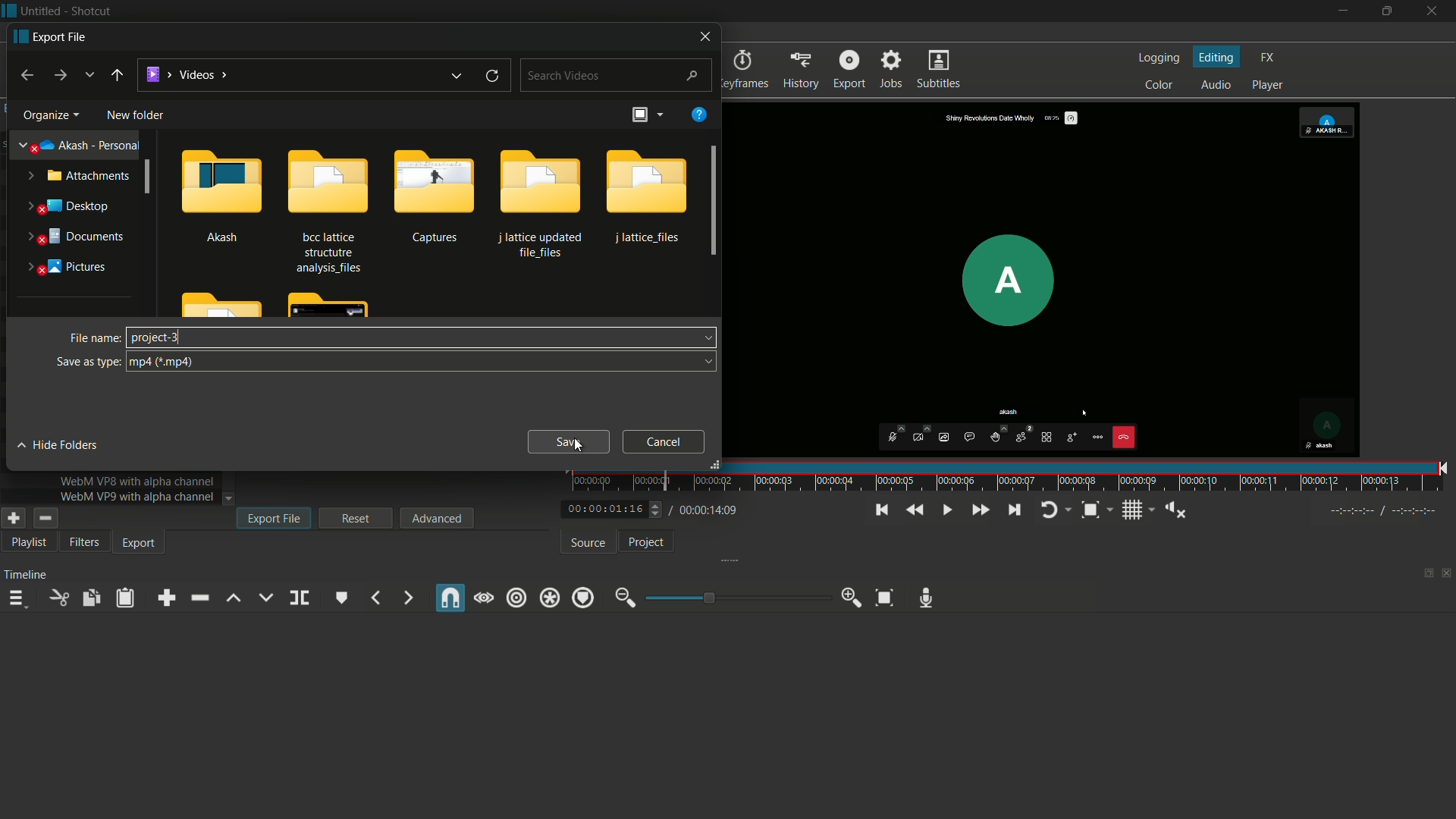 The image size is (1456, 819). I want to click on imported file, so click(1049, 280).